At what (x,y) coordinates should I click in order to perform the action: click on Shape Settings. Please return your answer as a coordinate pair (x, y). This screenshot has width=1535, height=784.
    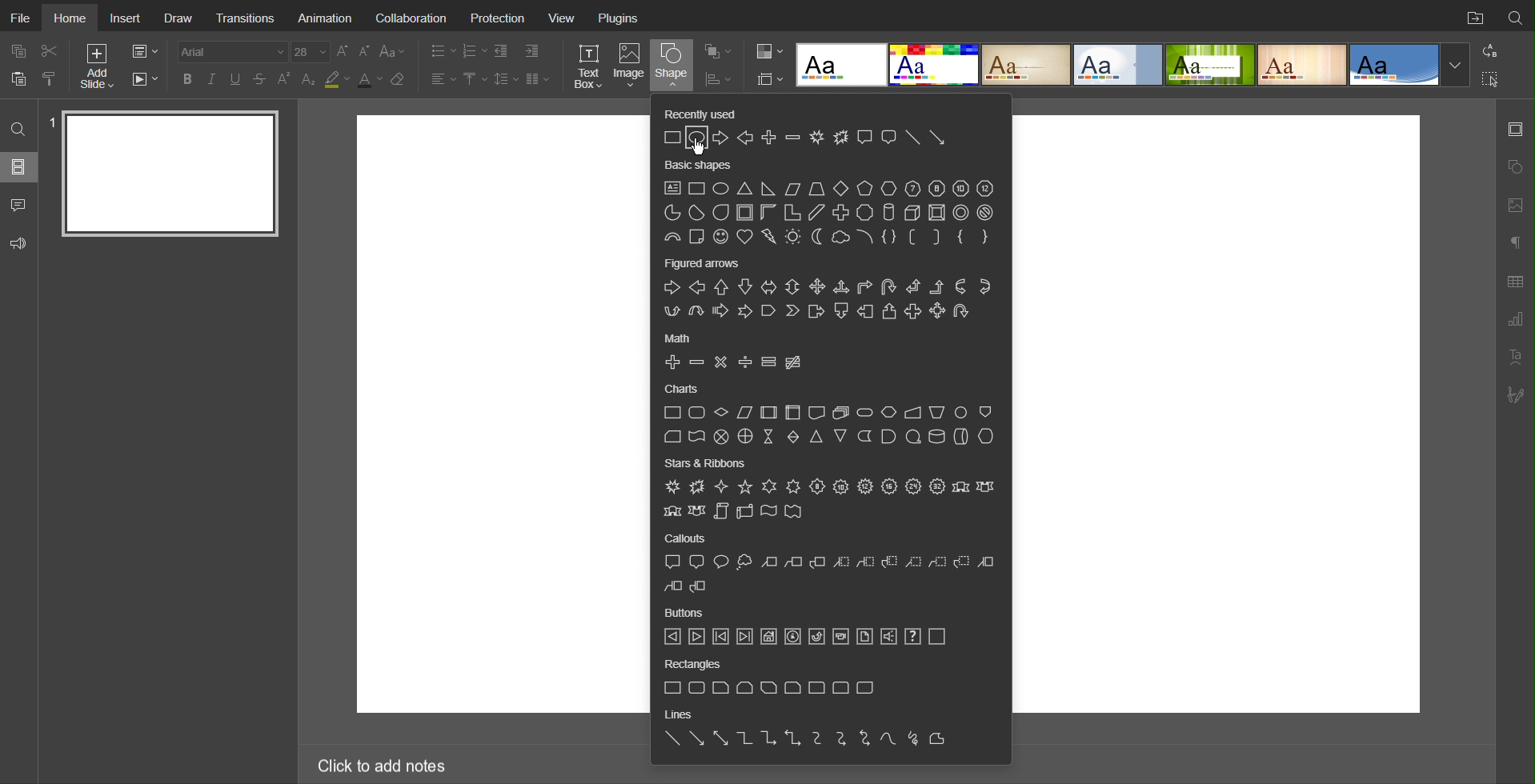
    Looking at the image, I should click on (1514, 167).